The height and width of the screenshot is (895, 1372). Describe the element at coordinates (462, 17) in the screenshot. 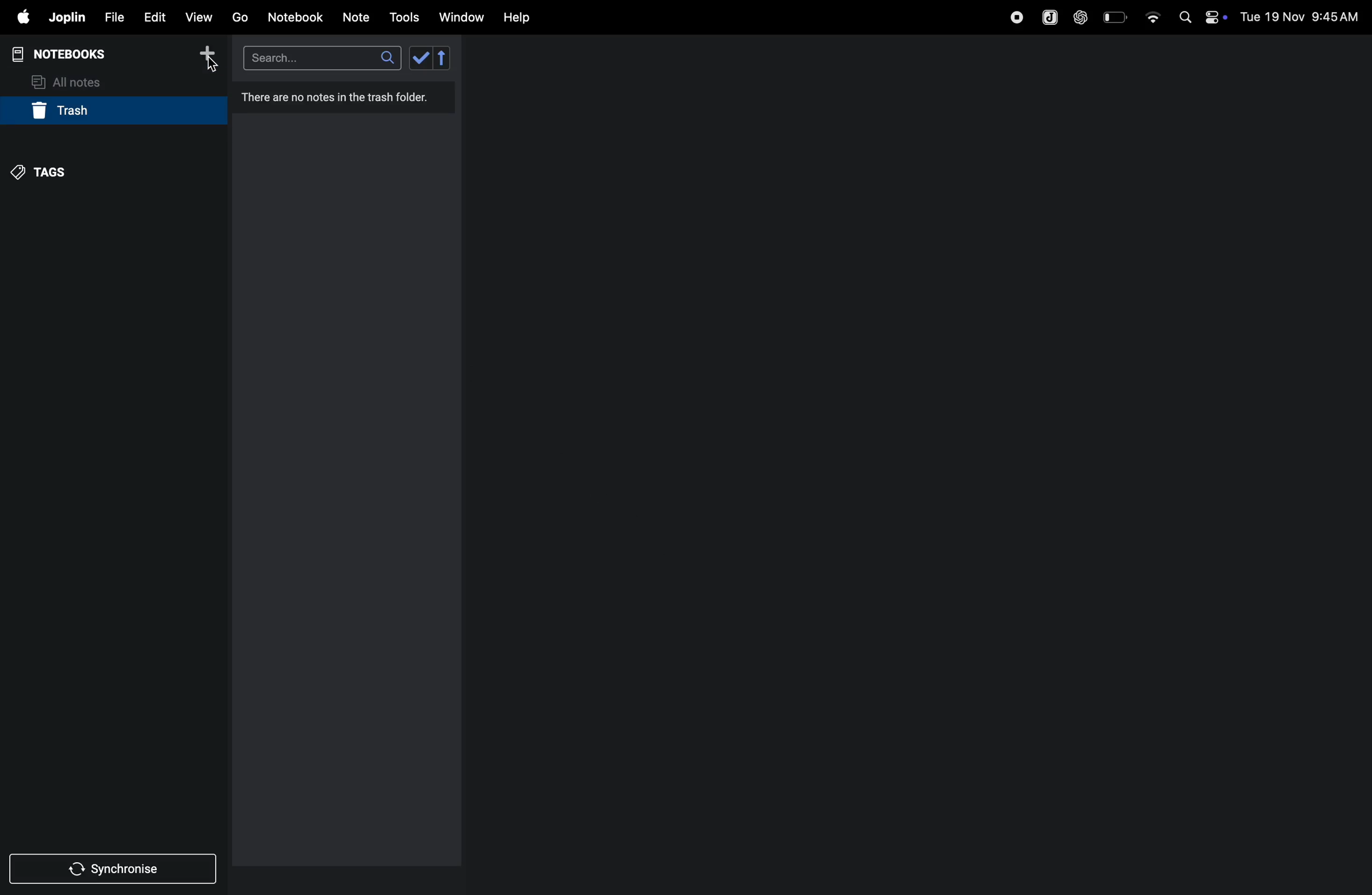

I see `window` at that location.